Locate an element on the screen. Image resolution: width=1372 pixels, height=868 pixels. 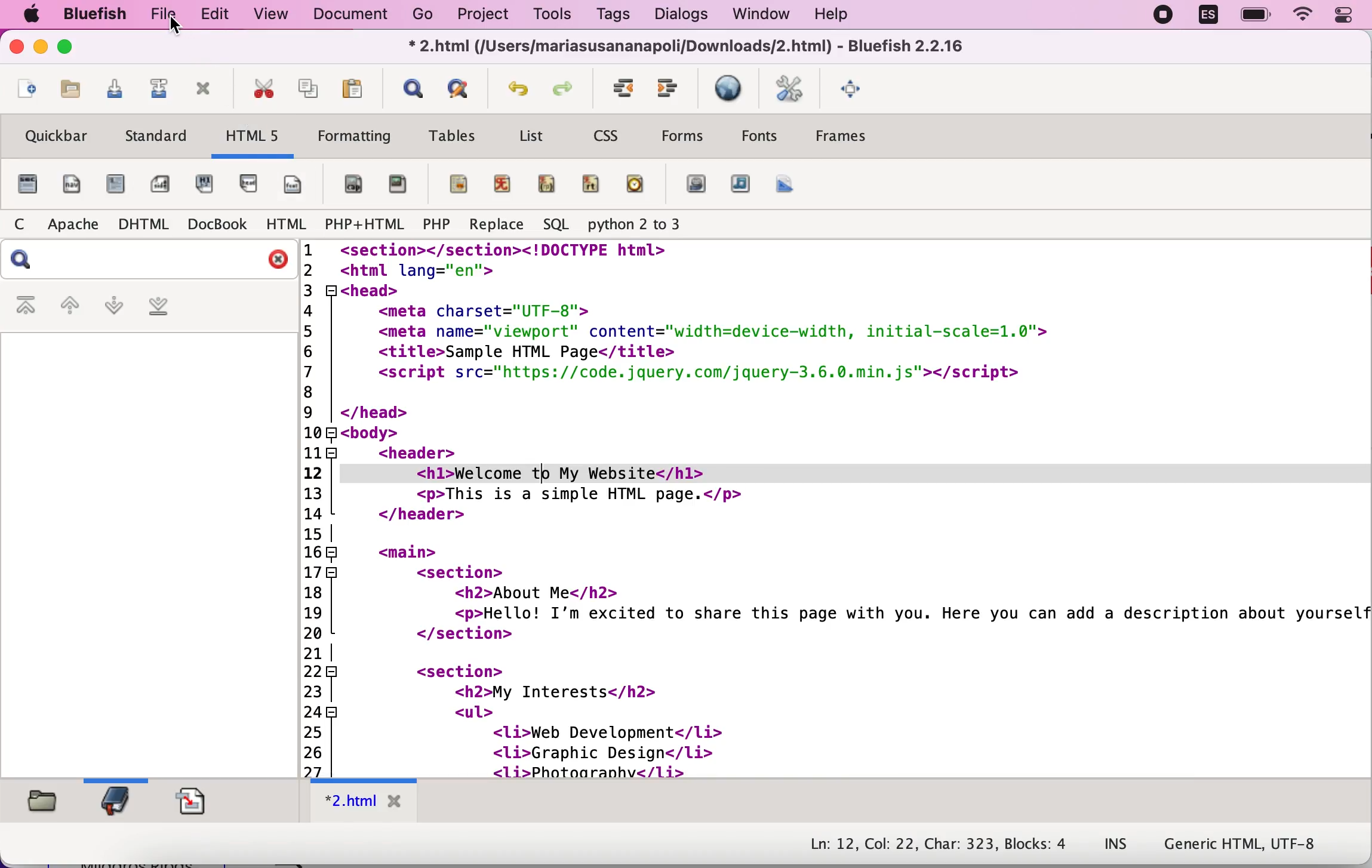
first bookmark is located at coordinates (23, 303).